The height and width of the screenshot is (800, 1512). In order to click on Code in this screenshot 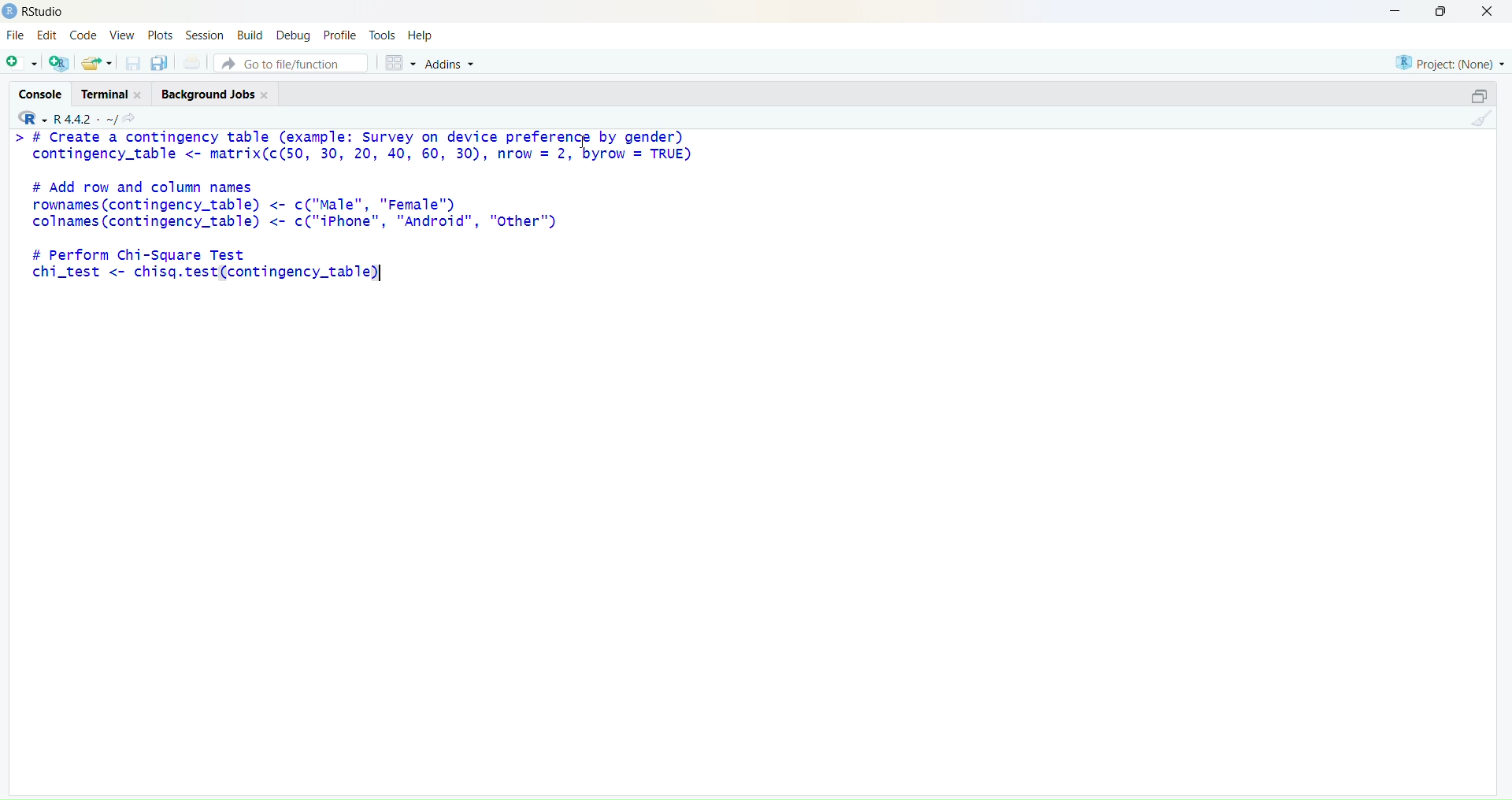, I will do `click(83, 35)`.